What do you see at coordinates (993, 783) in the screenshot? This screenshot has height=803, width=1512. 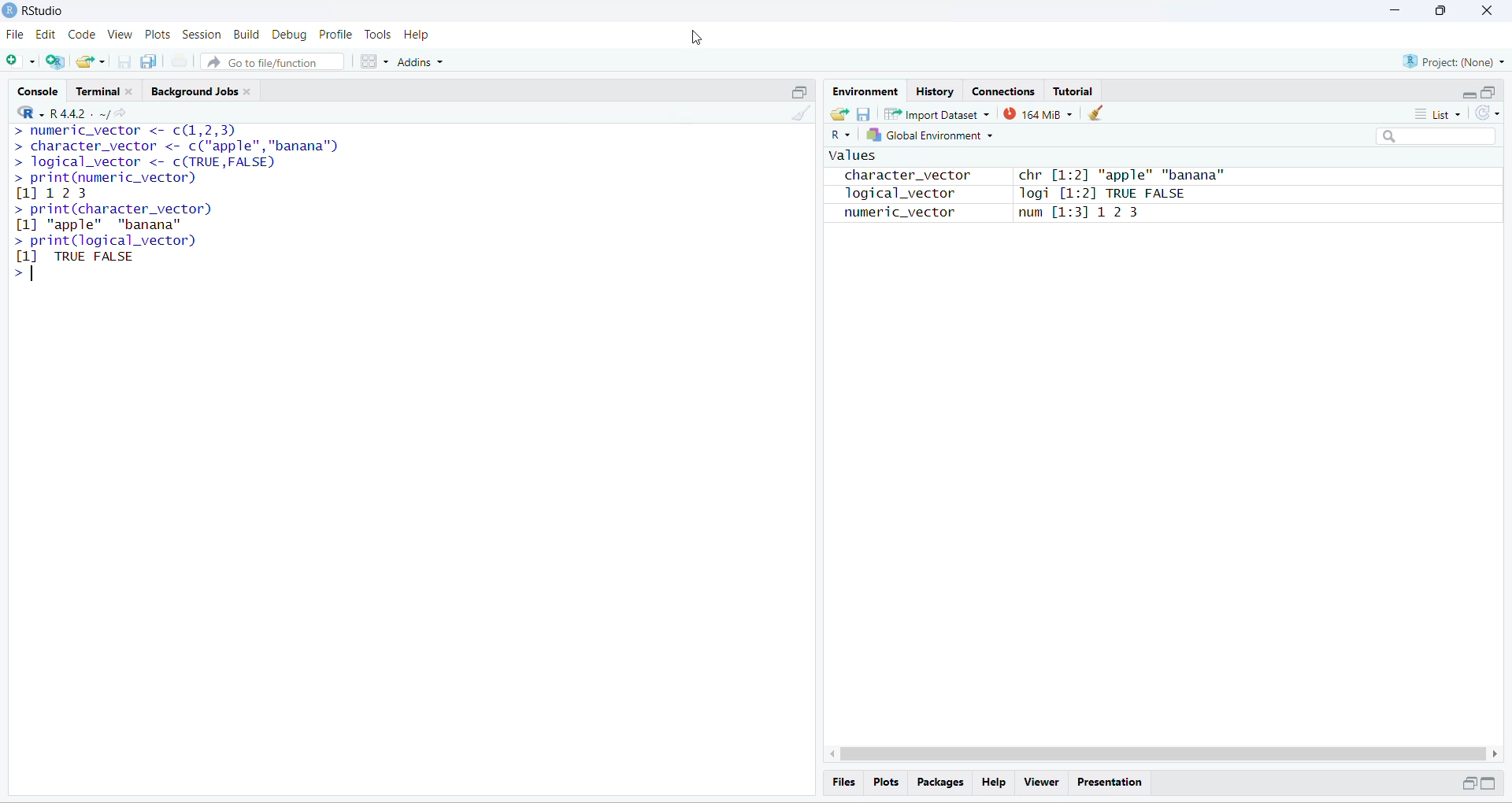 I see `Help` at bounding box center [993, 783].